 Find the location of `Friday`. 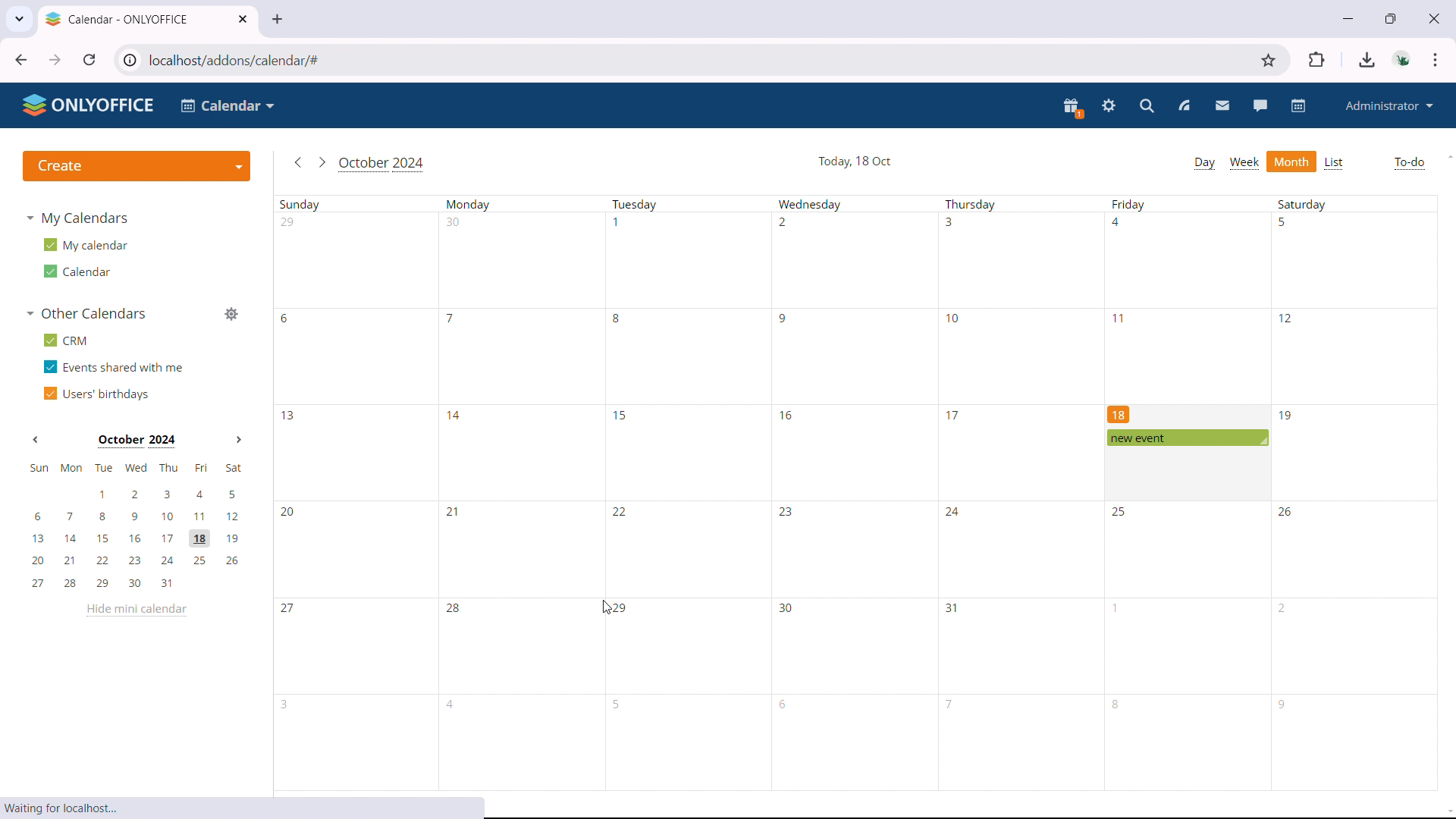

Friday is located at coordinates (1129, 205).